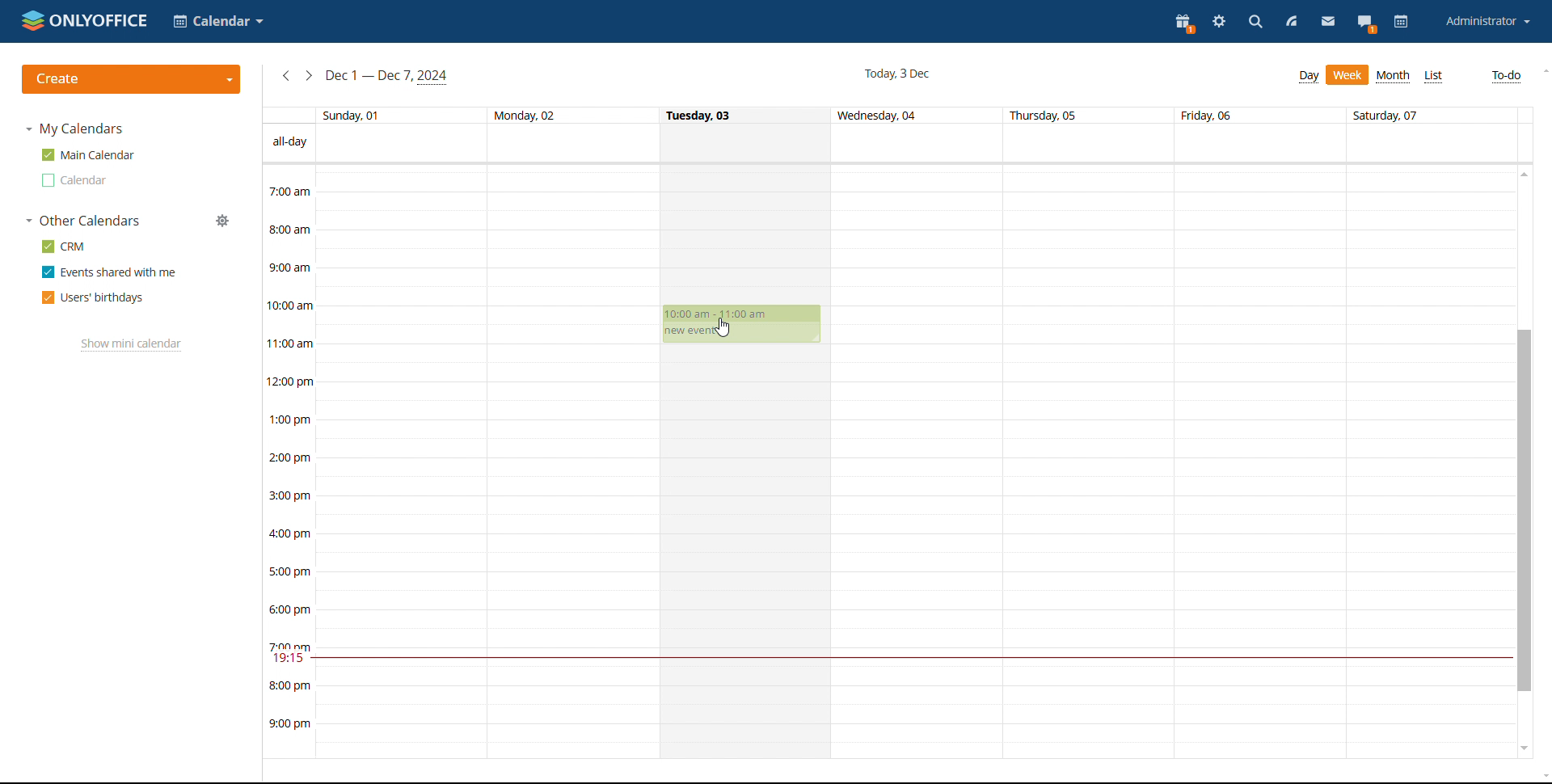 This screenshot has height=784, width=1552. Describe the element at coordinates (289, 570) in the screenshot. I see `5:00 pm` at that location.